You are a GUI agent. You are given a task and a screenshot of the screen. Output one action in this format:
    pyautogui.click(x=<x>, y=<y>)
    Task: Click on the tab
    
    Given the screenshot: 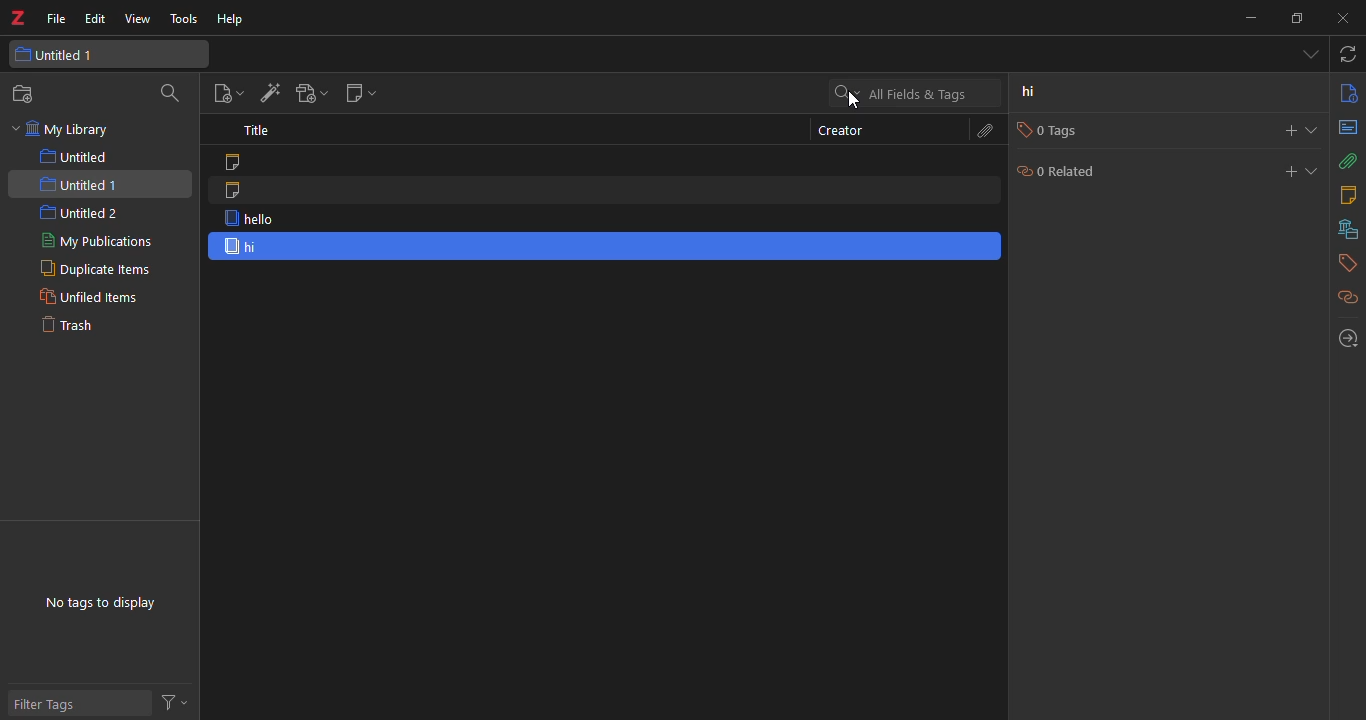 What is the action you would take?
    pyautogui.click(x=1306, y=54)
    